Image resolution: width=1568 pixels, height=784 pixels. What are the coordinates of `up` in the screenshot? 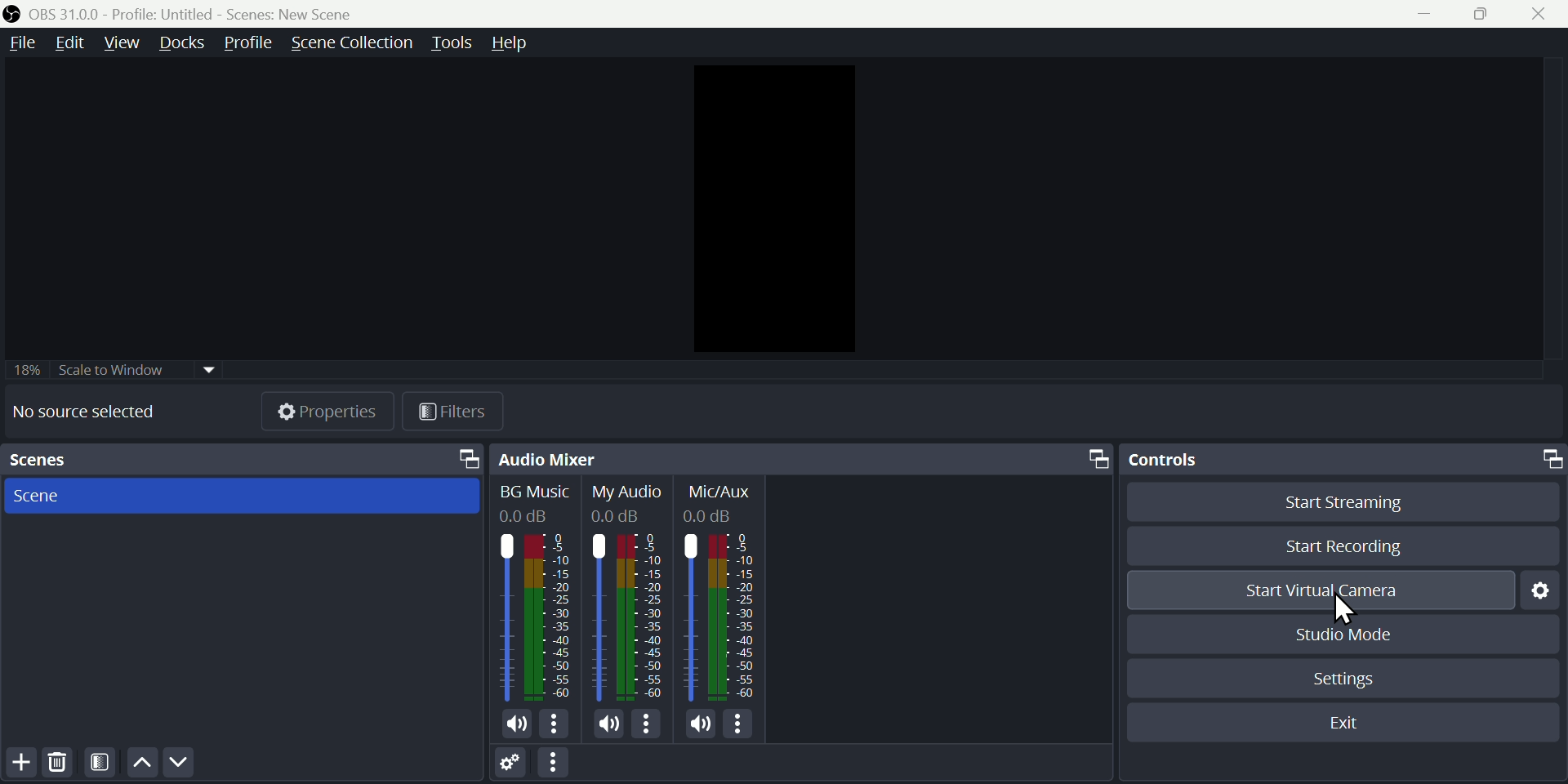 It's located at (140, 763).